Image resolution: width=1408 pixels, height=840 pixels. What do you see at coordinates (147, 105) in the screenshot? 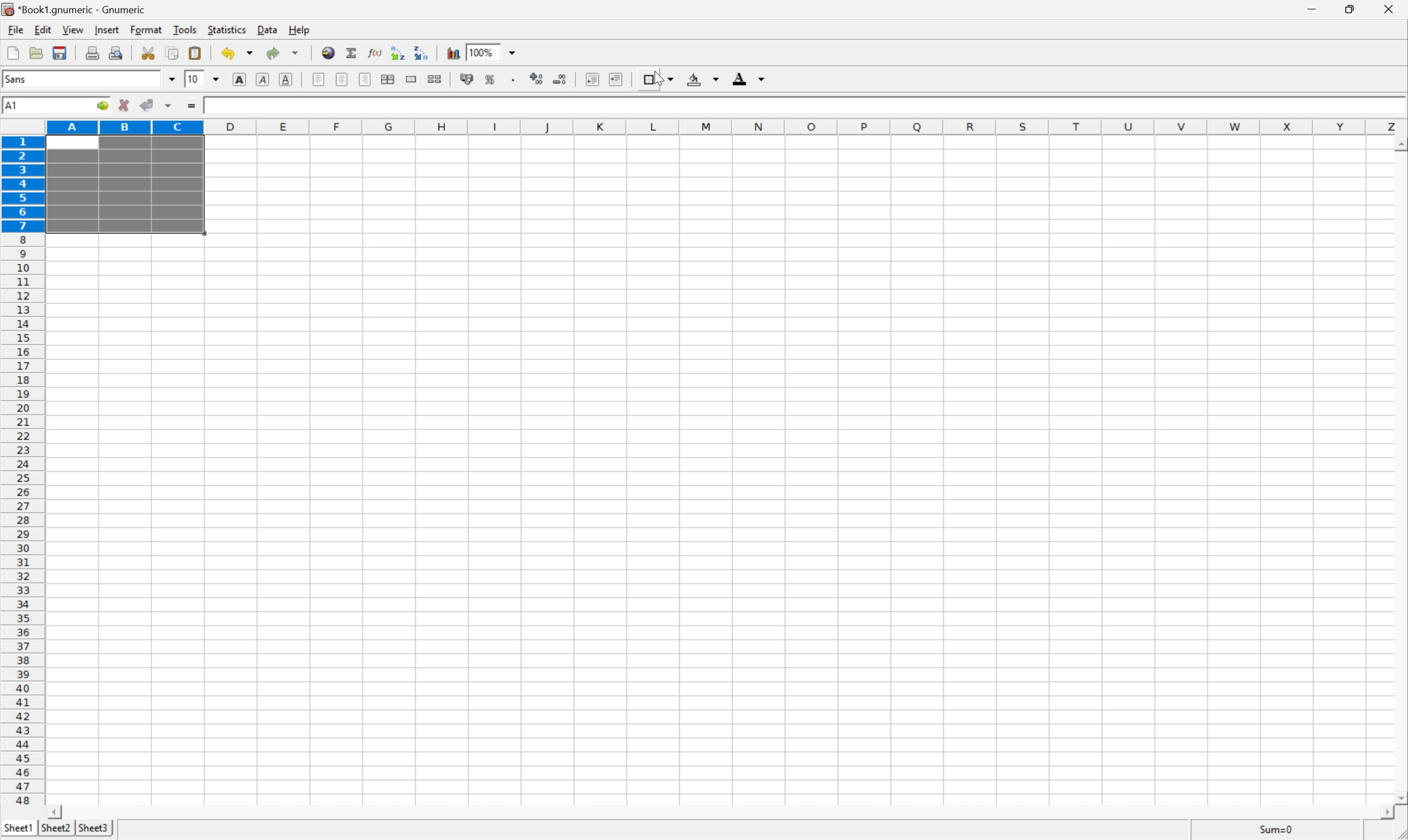
I see `accept change` at bounding box center [147, 105].